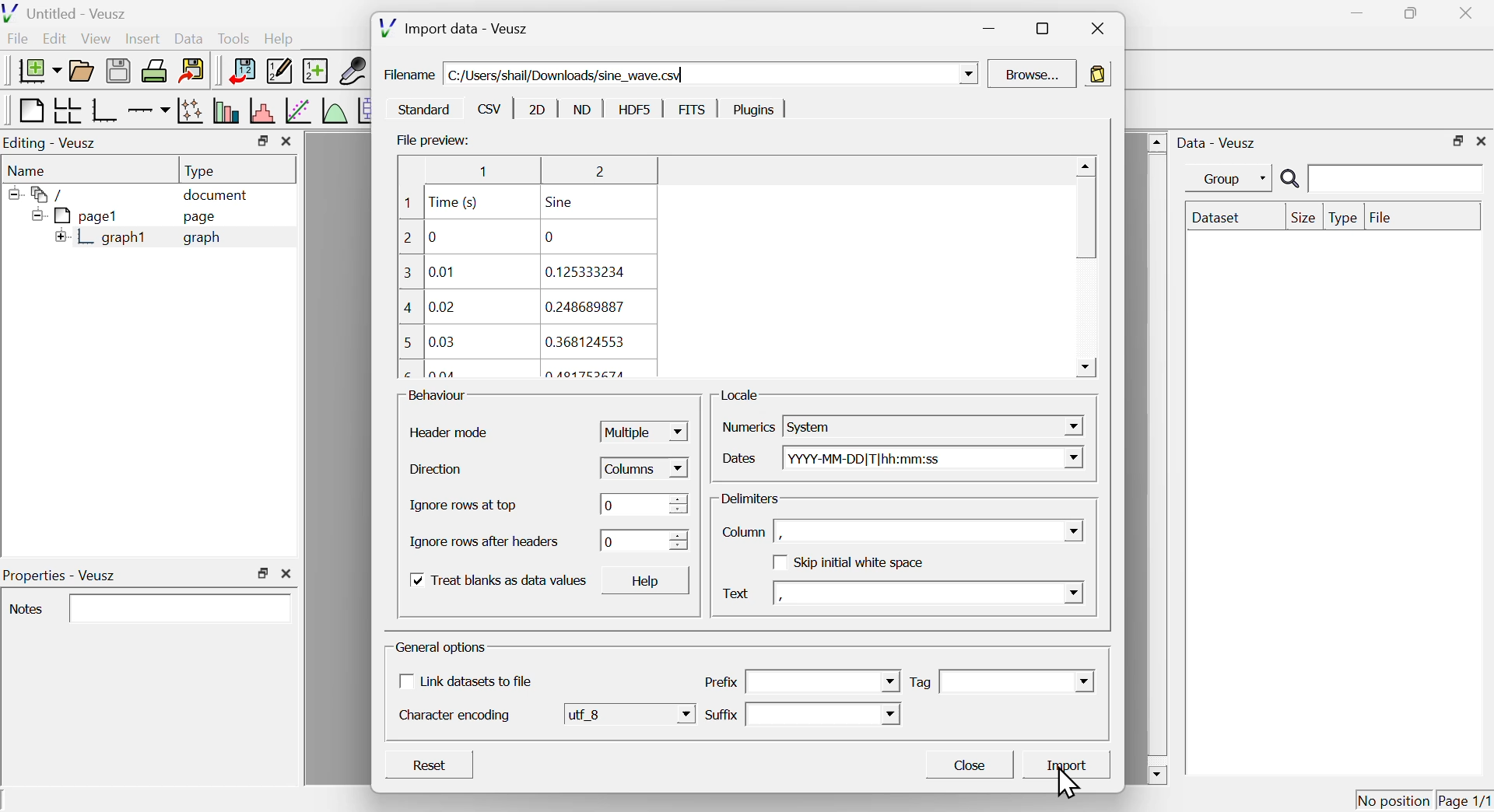  What do you see at coordinates (62, 576) in the screenshot?
I see `Properties - veusz` at bounding box center [62, 576].